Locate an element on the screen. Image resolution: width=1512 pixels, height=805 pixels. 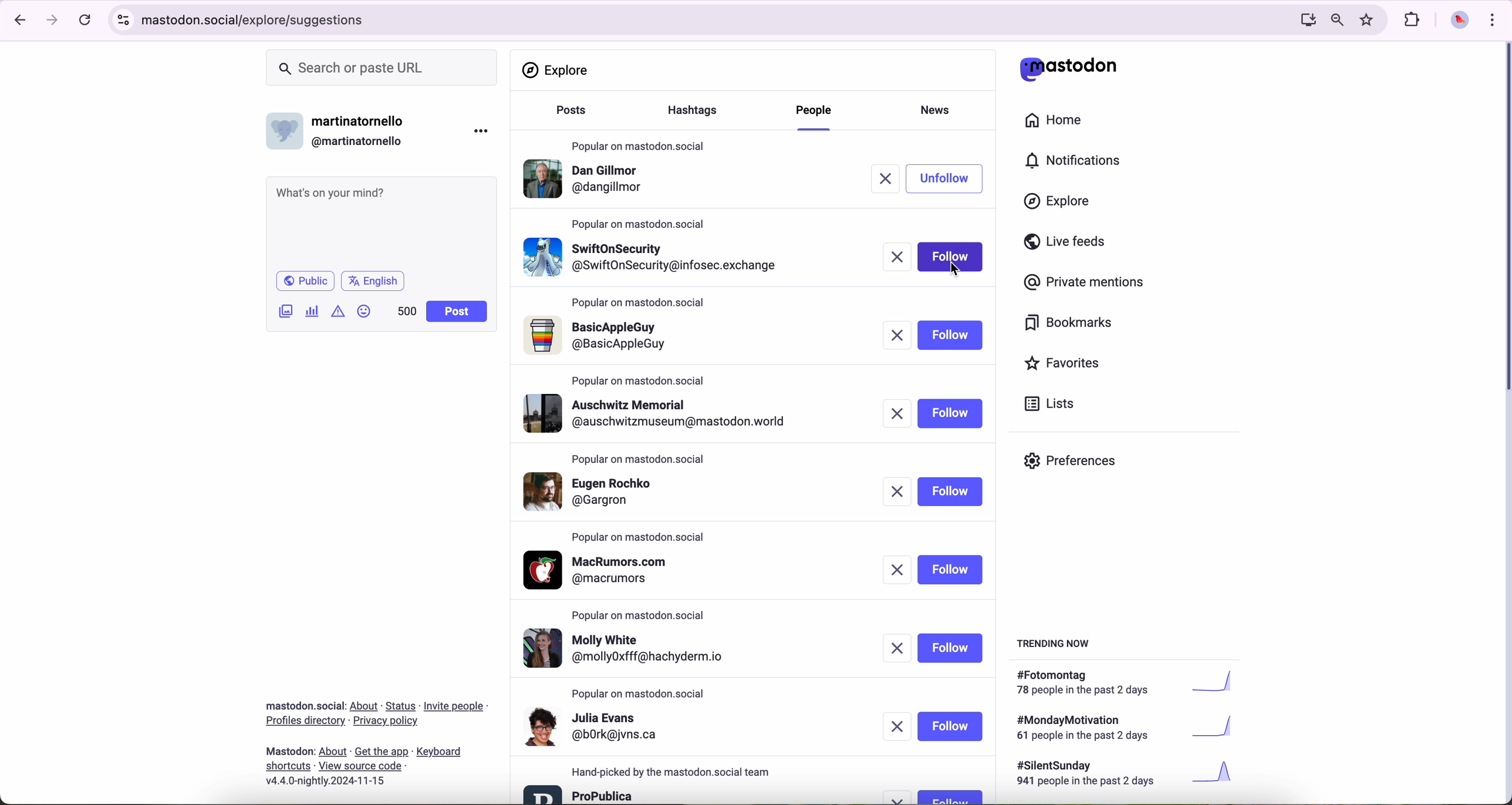
zoom out is located at coordinates (1336, 19).